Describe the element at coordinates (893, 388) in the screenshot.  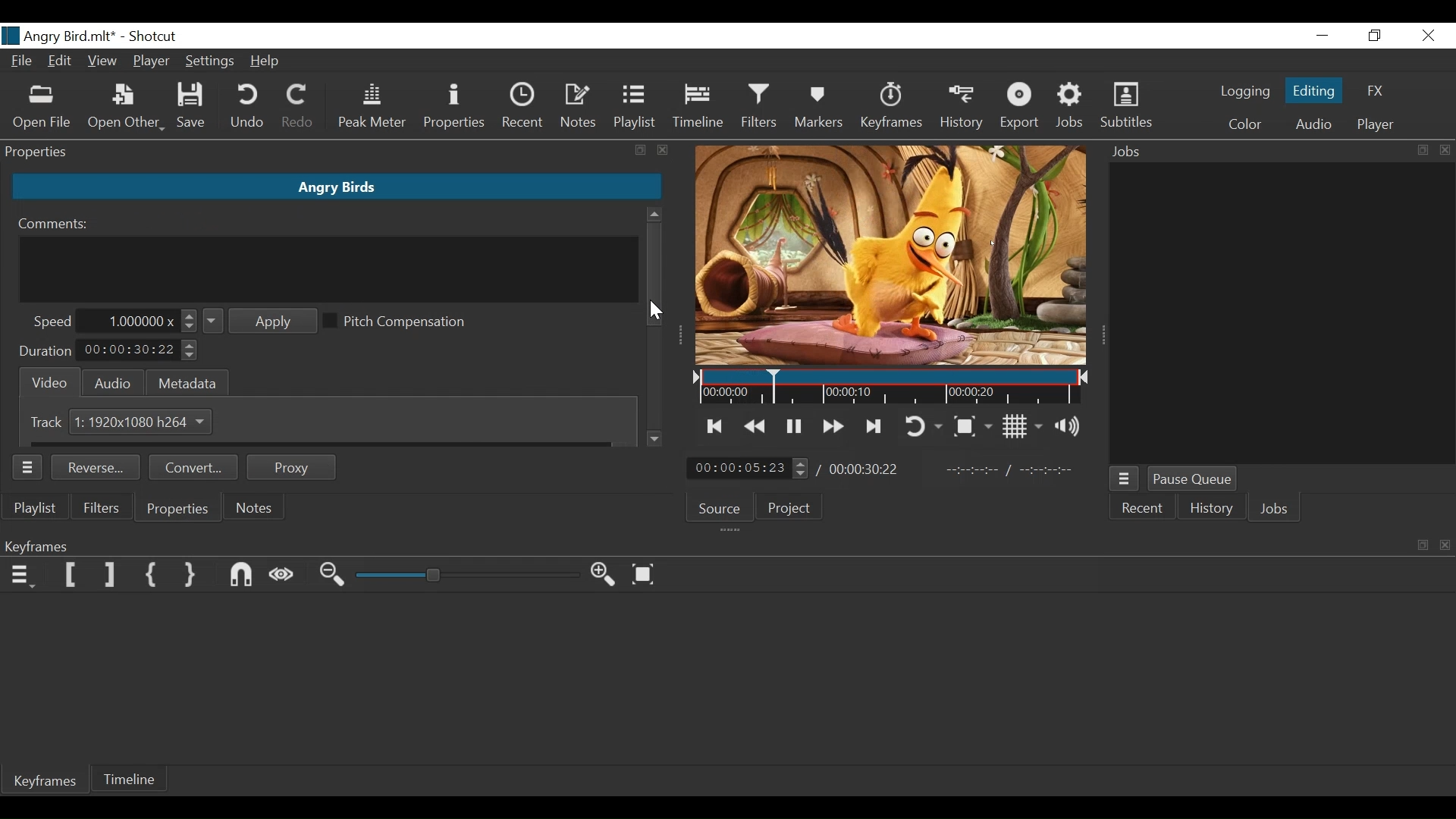
I see `Timeline` at that location.